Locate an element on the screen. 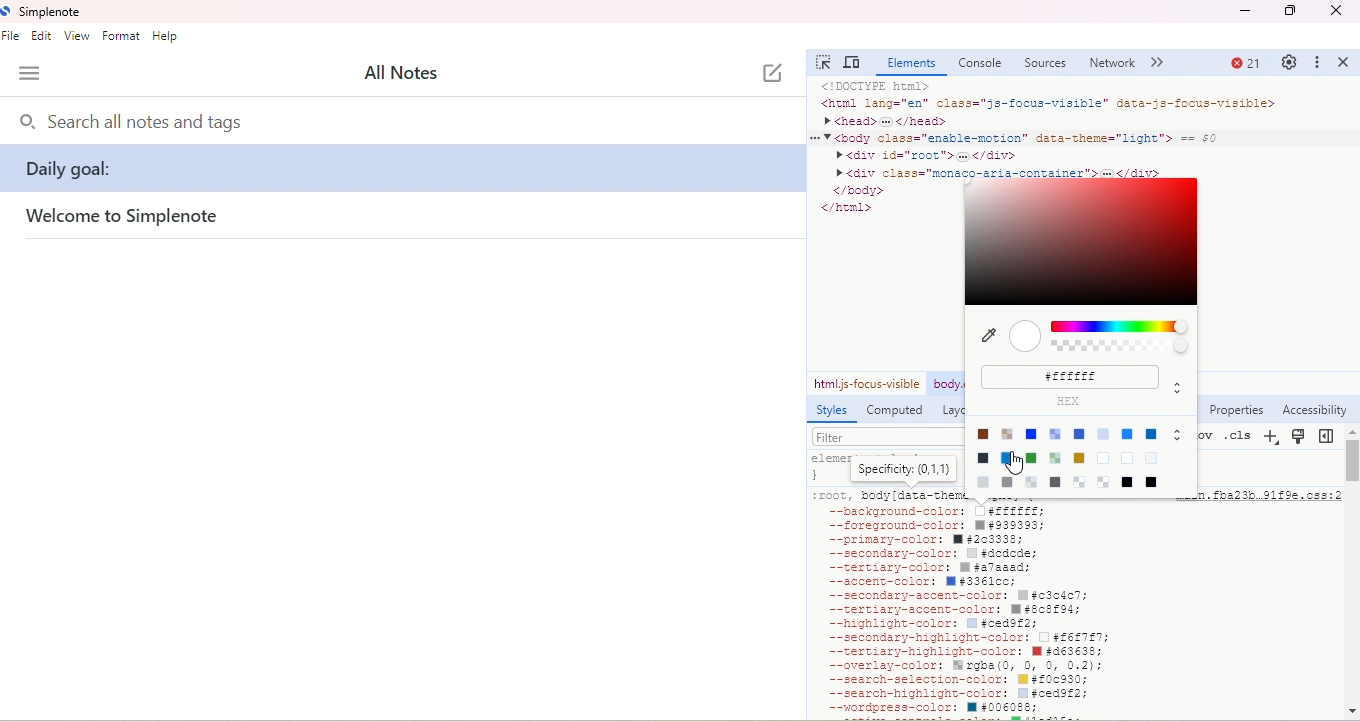 The height and width of the screenshot is (722, 1360). all notes is located at coordinates (417, 72).